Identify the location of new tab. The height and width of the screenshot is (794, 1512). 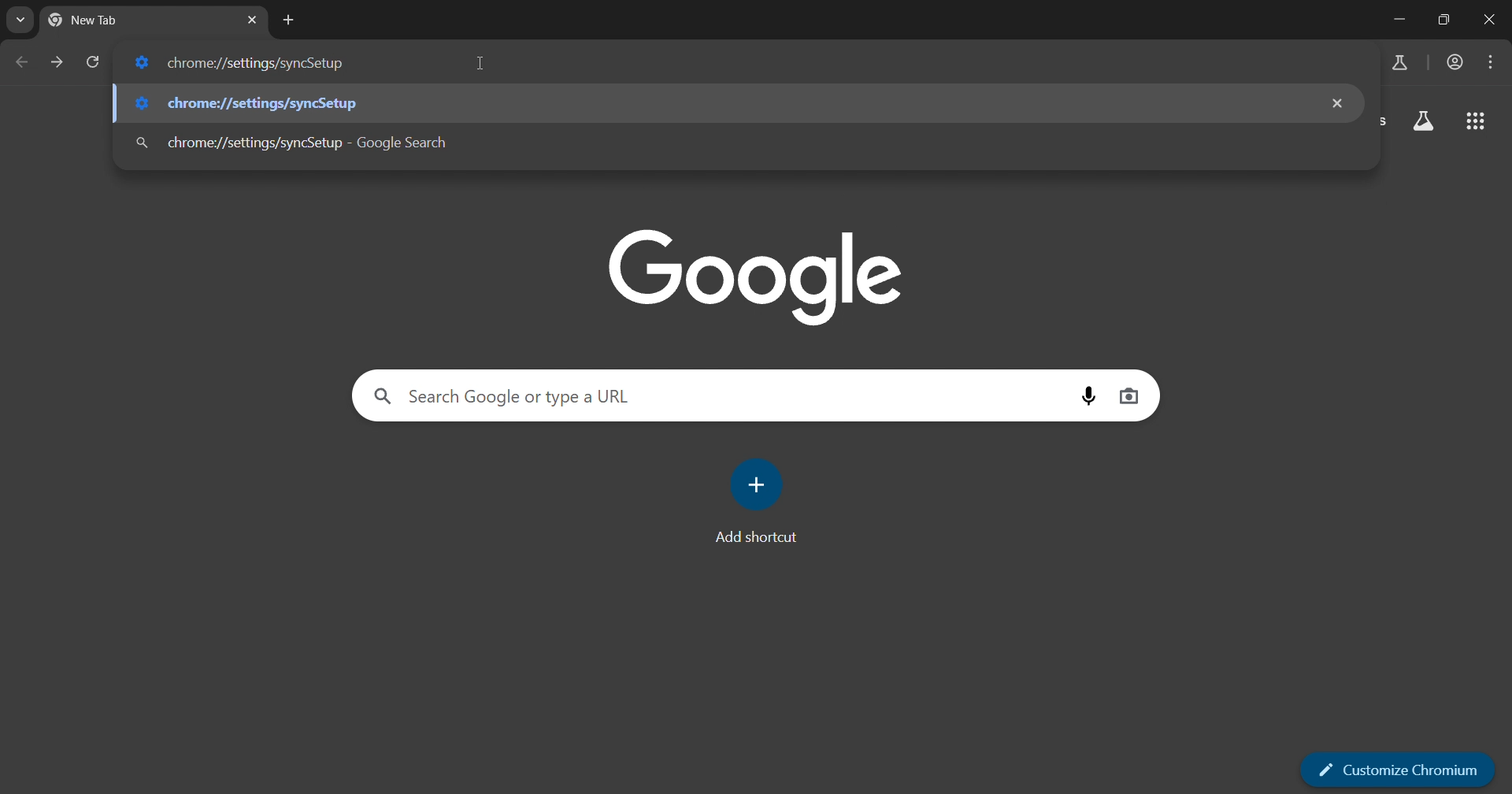
(292, 21).